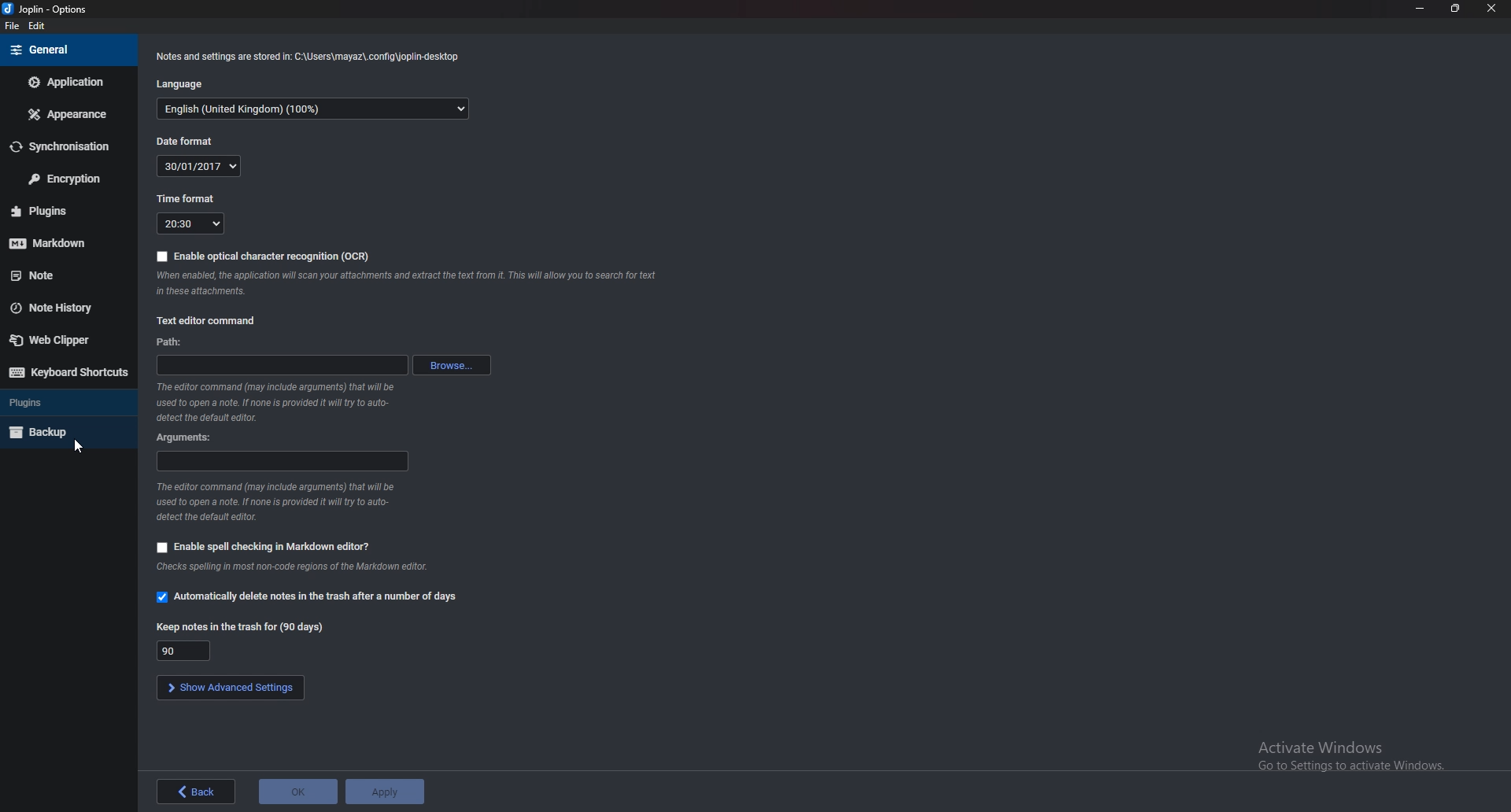 This screenshot has height=812, width=1511. Describe the element at coordinates (270, 502) in the screenshot. I see `info` at that location.